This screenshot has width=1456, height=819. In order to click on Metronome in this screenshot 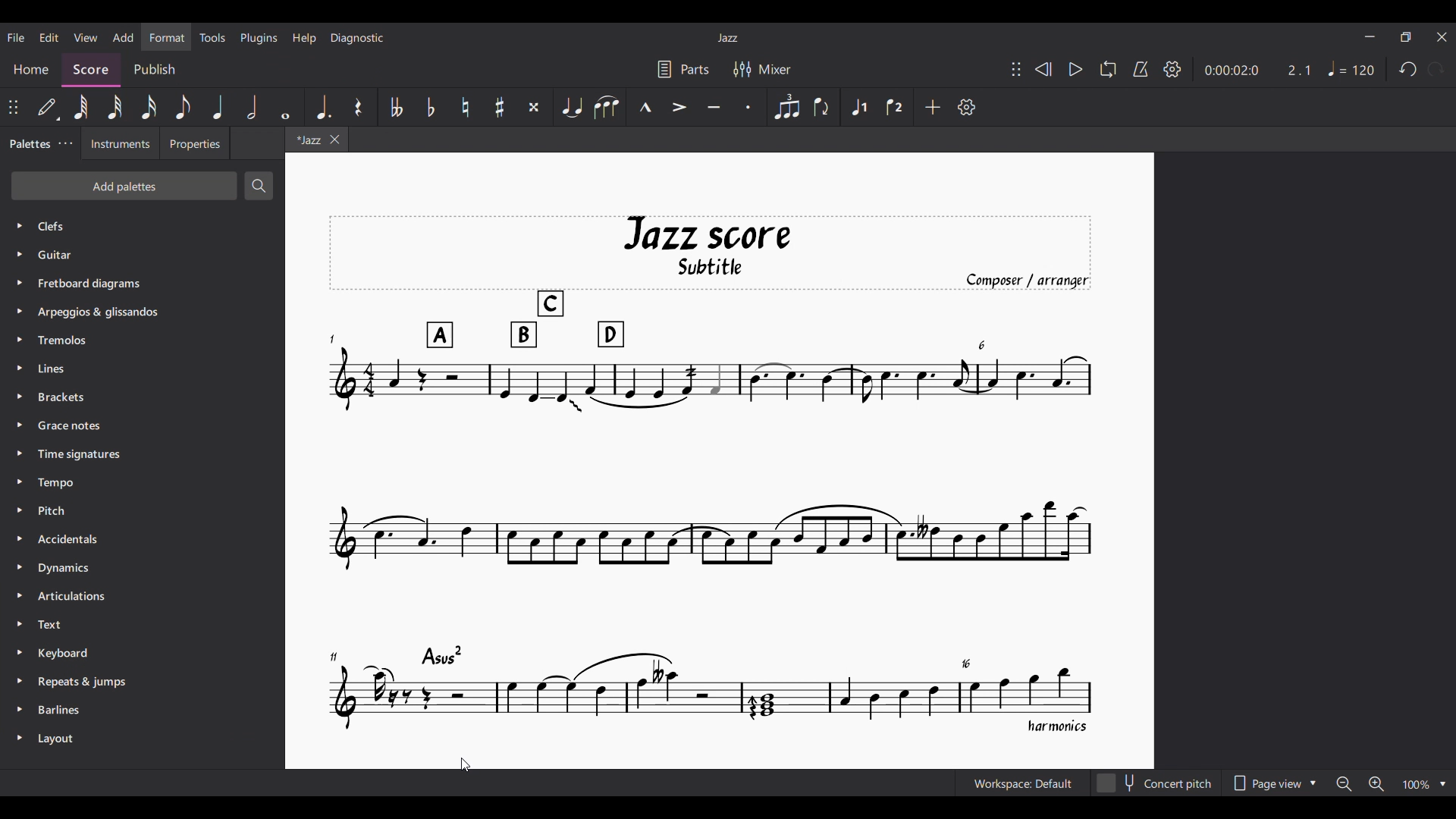, I will do `click(1141, 69)`.